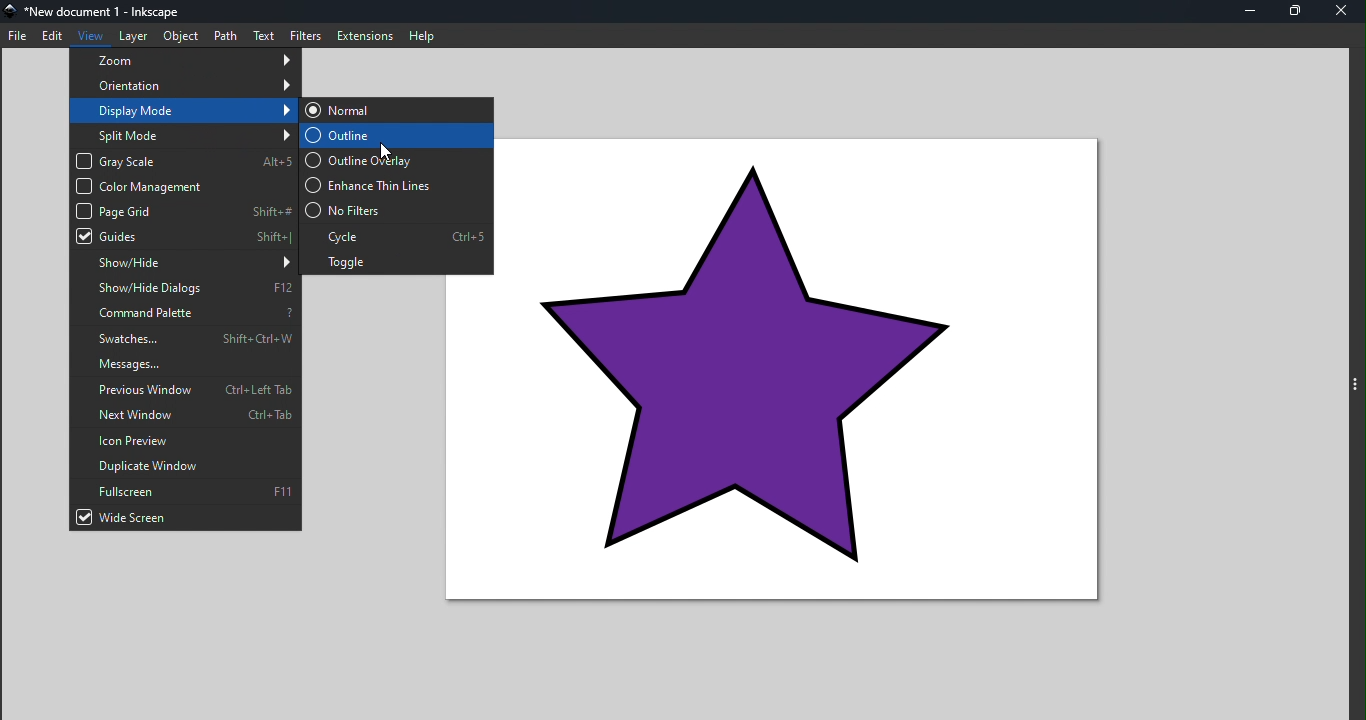  I want to click on Fullscreen, so click(184, 490).